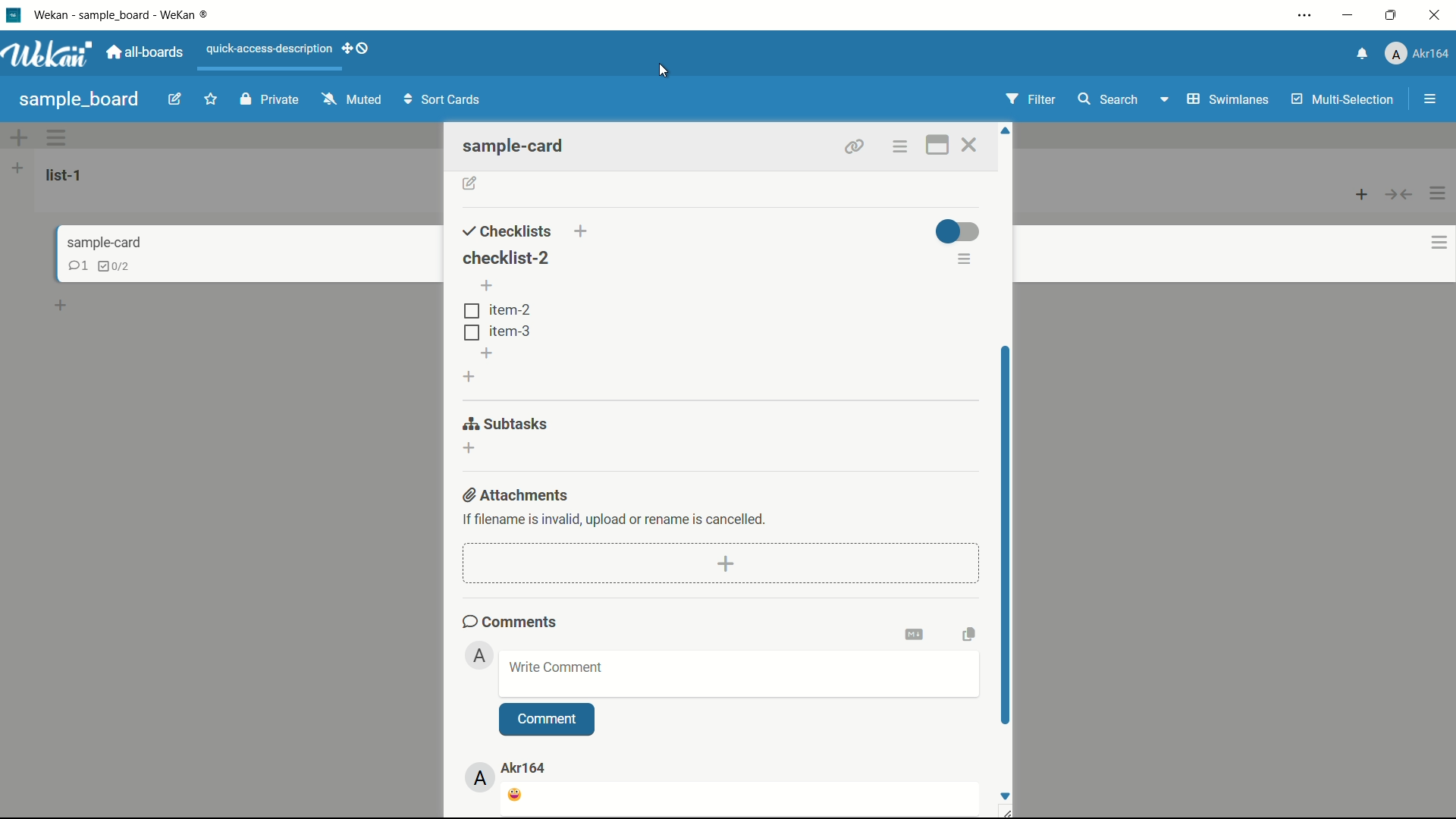 The height and width of the screenshot is (819, 1456). Describe the element at coordinates (936, 145) in the screenshot. I see `maximize card` at that location.